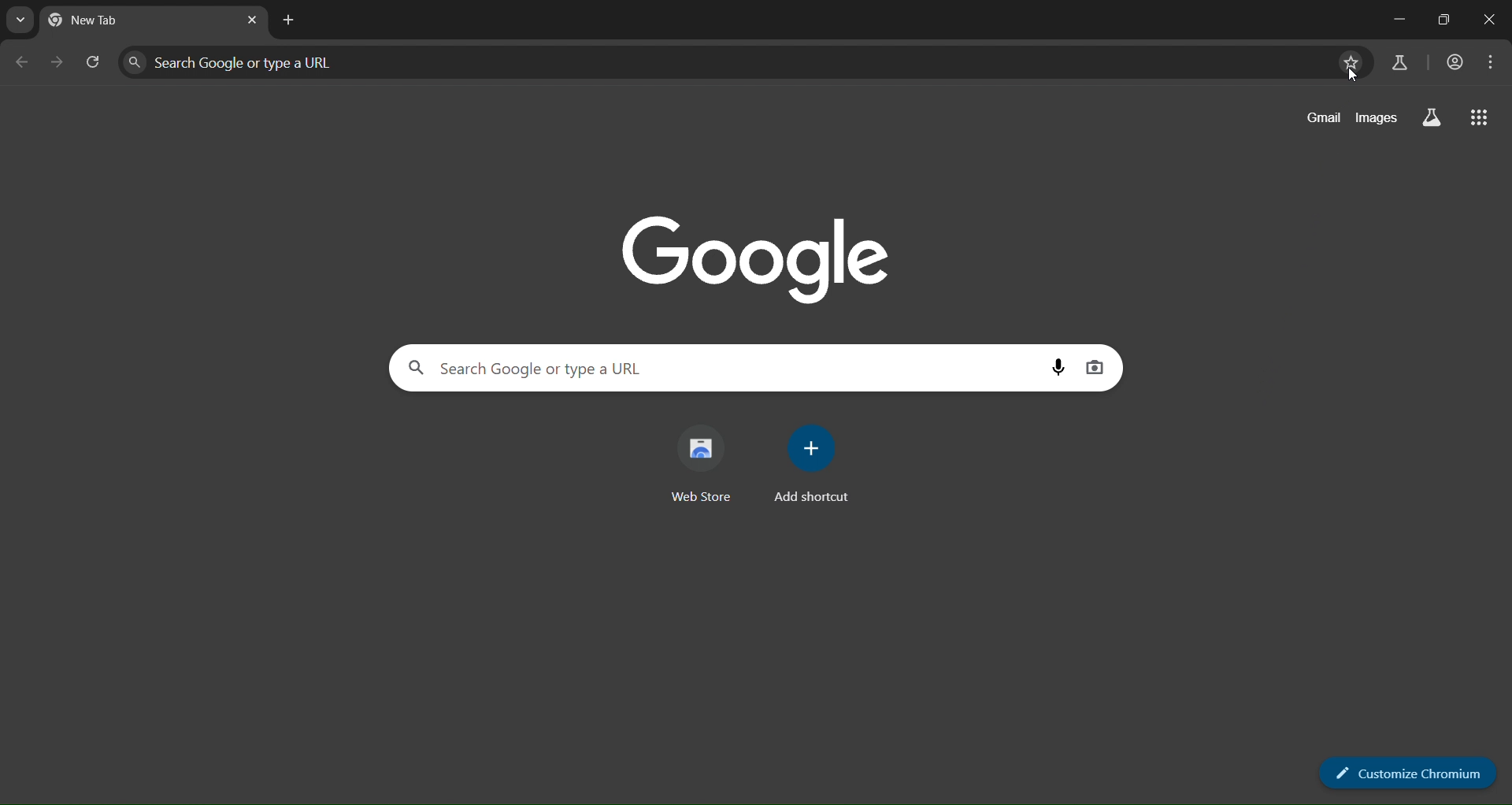 The width and height of the screenshot is (1512, 805). Describe the element at coordinates (810, 465) in the screenshot. I see `add shortcut` at that location.